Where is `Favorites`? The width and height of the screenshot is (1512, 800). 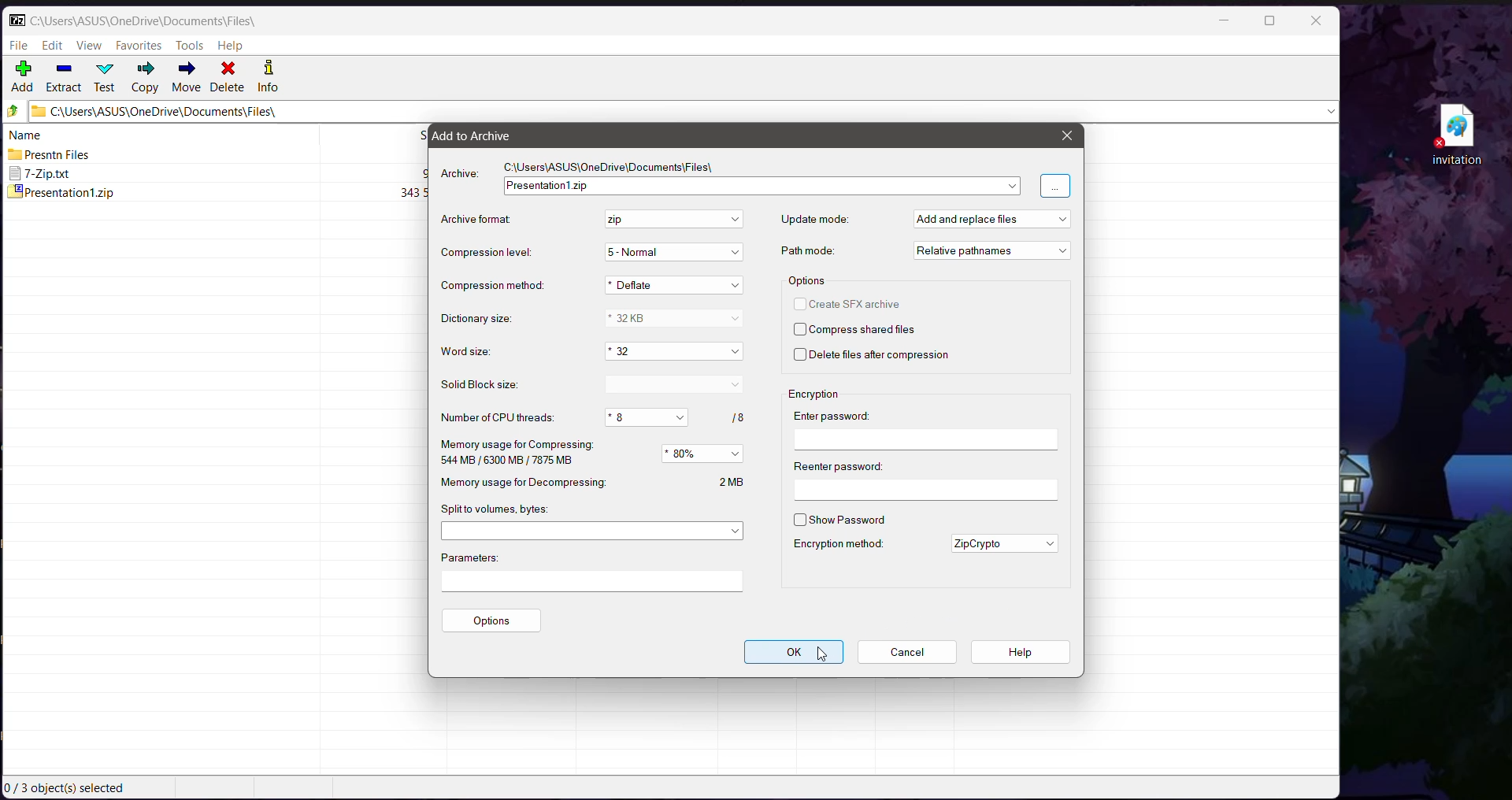
Favorites is located at coordinates (139, 46).